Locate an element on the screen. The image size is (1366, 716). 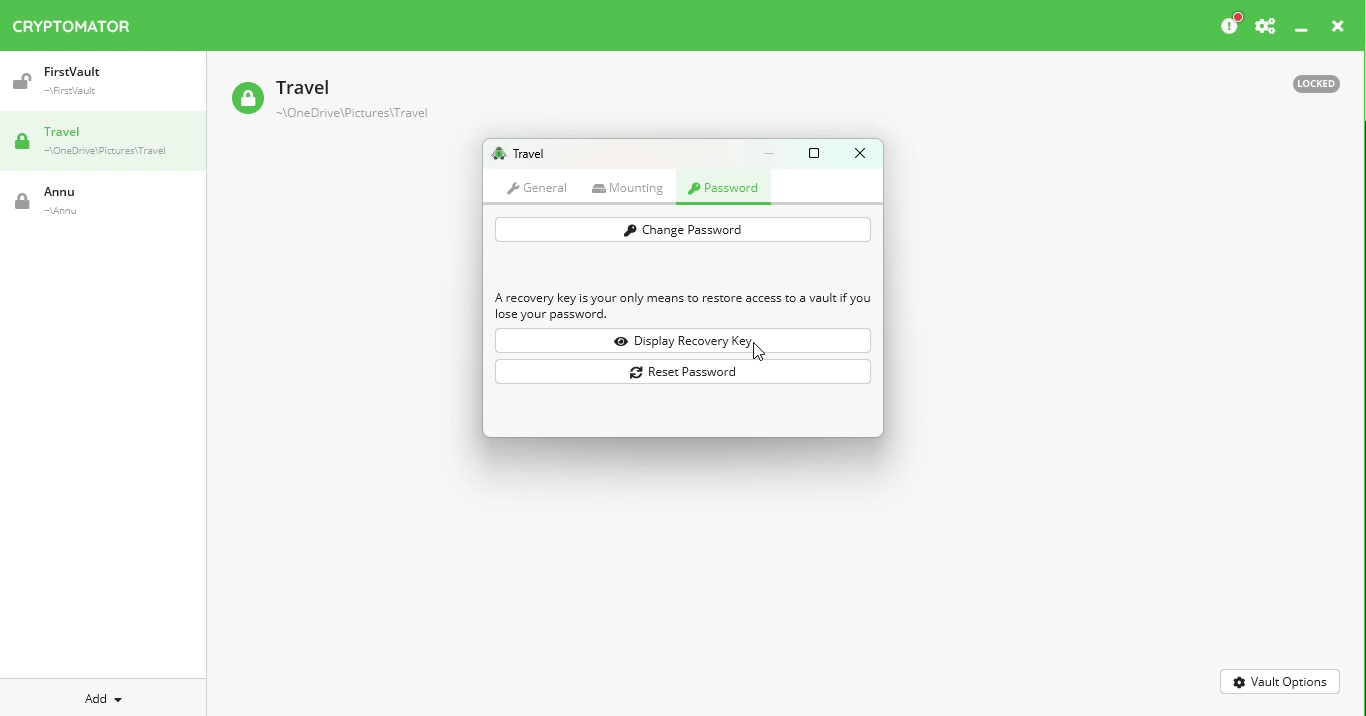
General is located at coordinates (537, 187).